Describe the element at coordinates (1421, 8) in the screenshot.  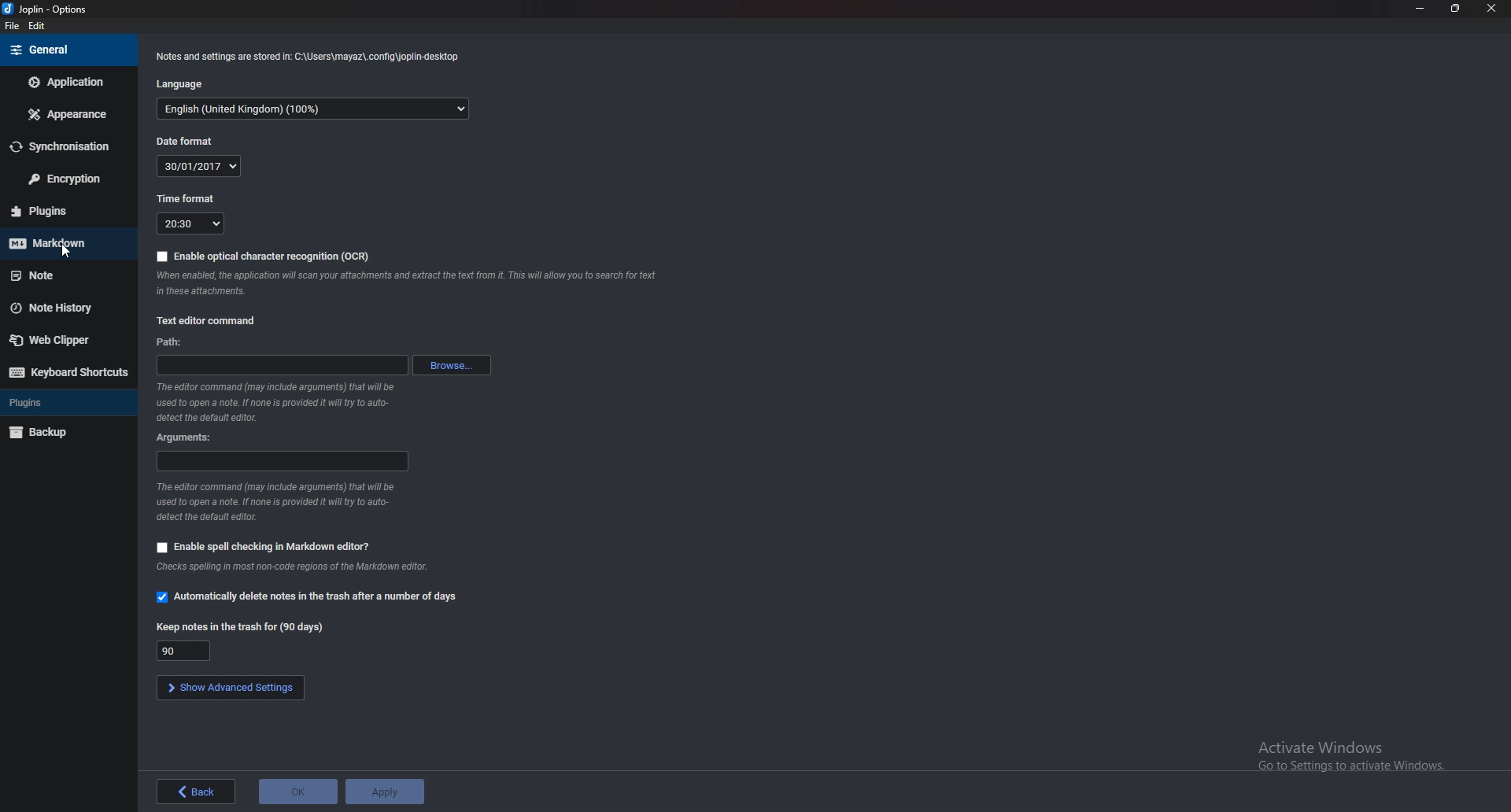
I see `minimize` at that location.